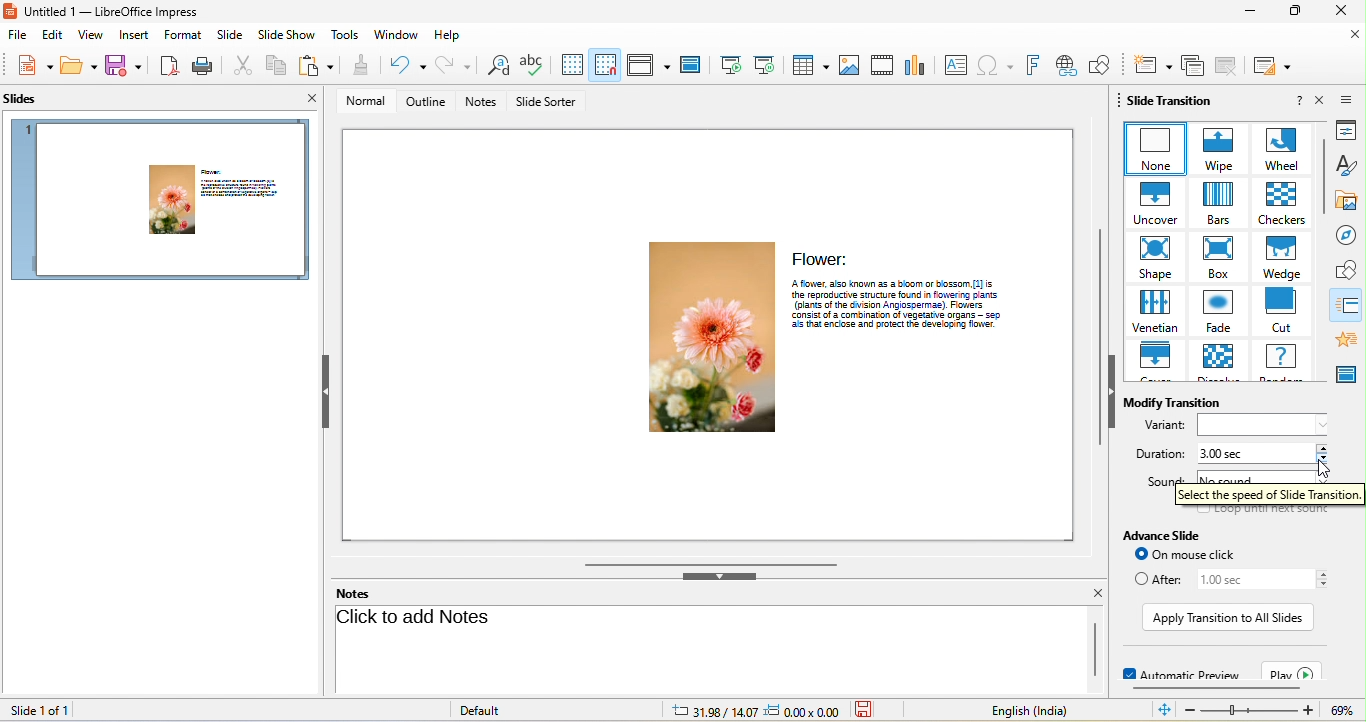 The height and width of the screenshot is (722, 1366). What do you see at coordinates (802, 711) in the screenshot?
I see `0.00x0.00` at bounding box center [802, 711].